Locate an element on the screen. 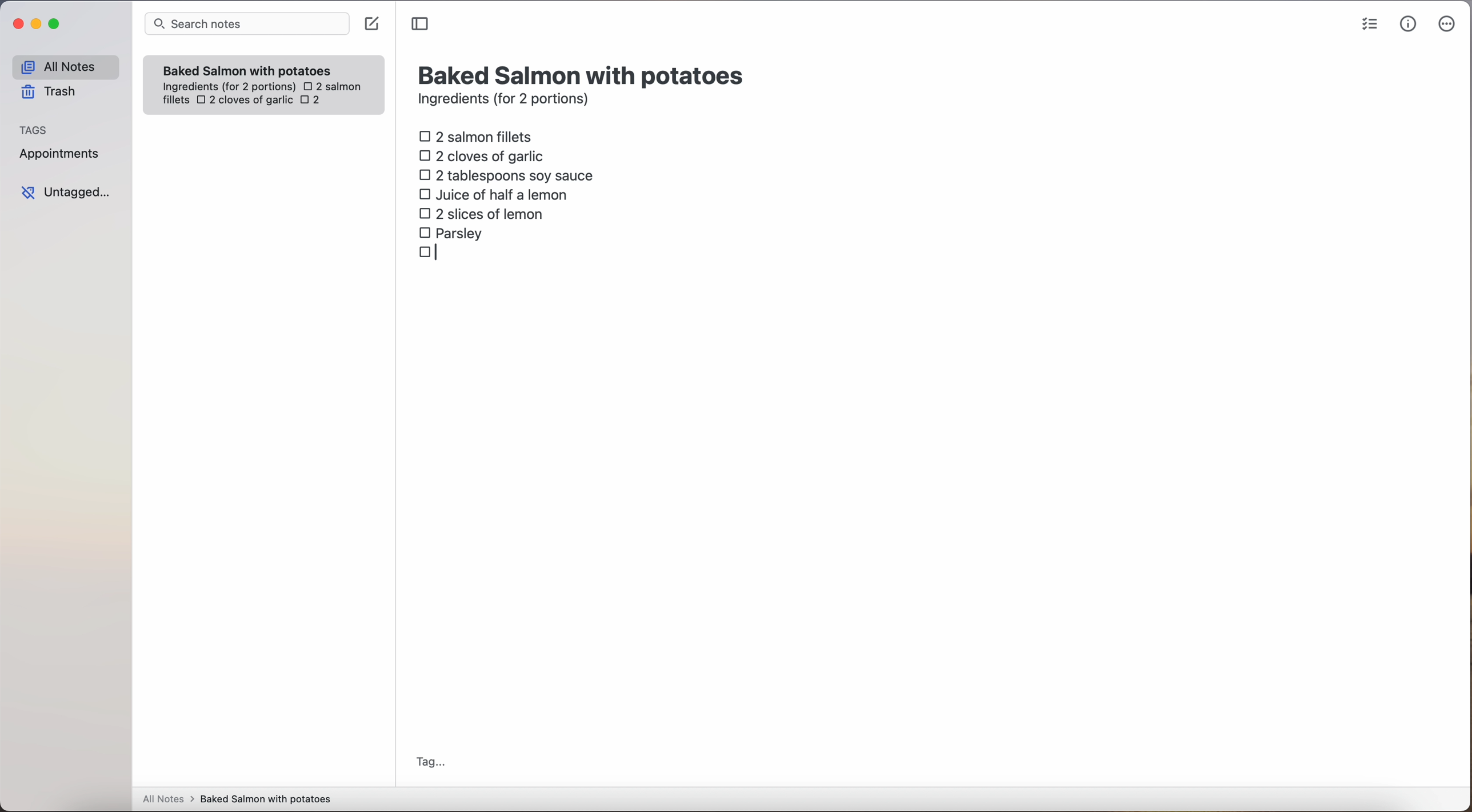 The image size is (1472, 812). untagged is located at coordinates (67, 192).